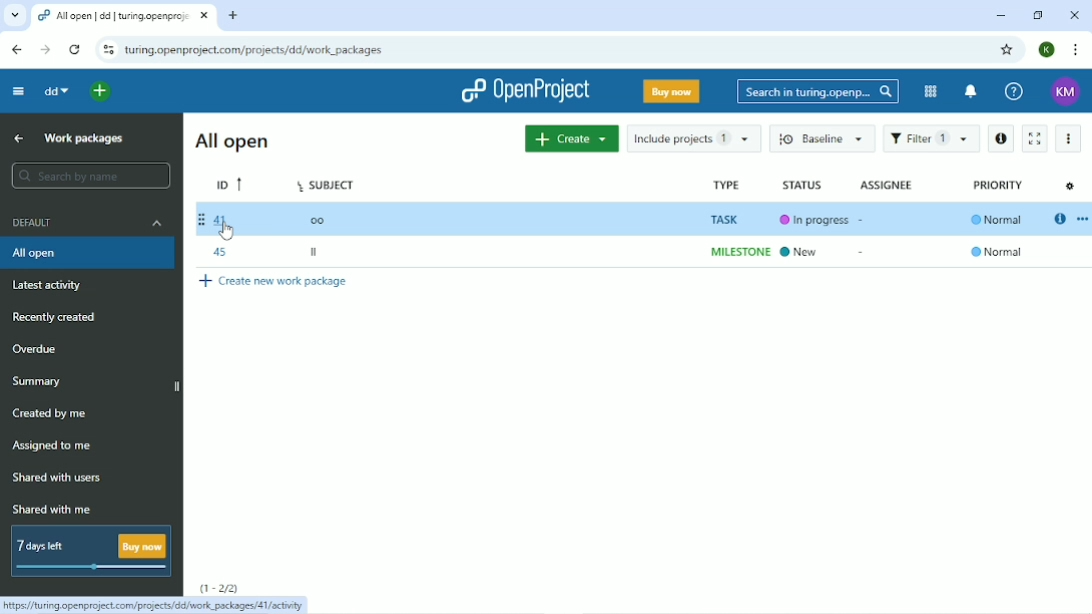 The width and height of the screenshot is (1092, 614). I want to click on Account, so click(1046, 50).